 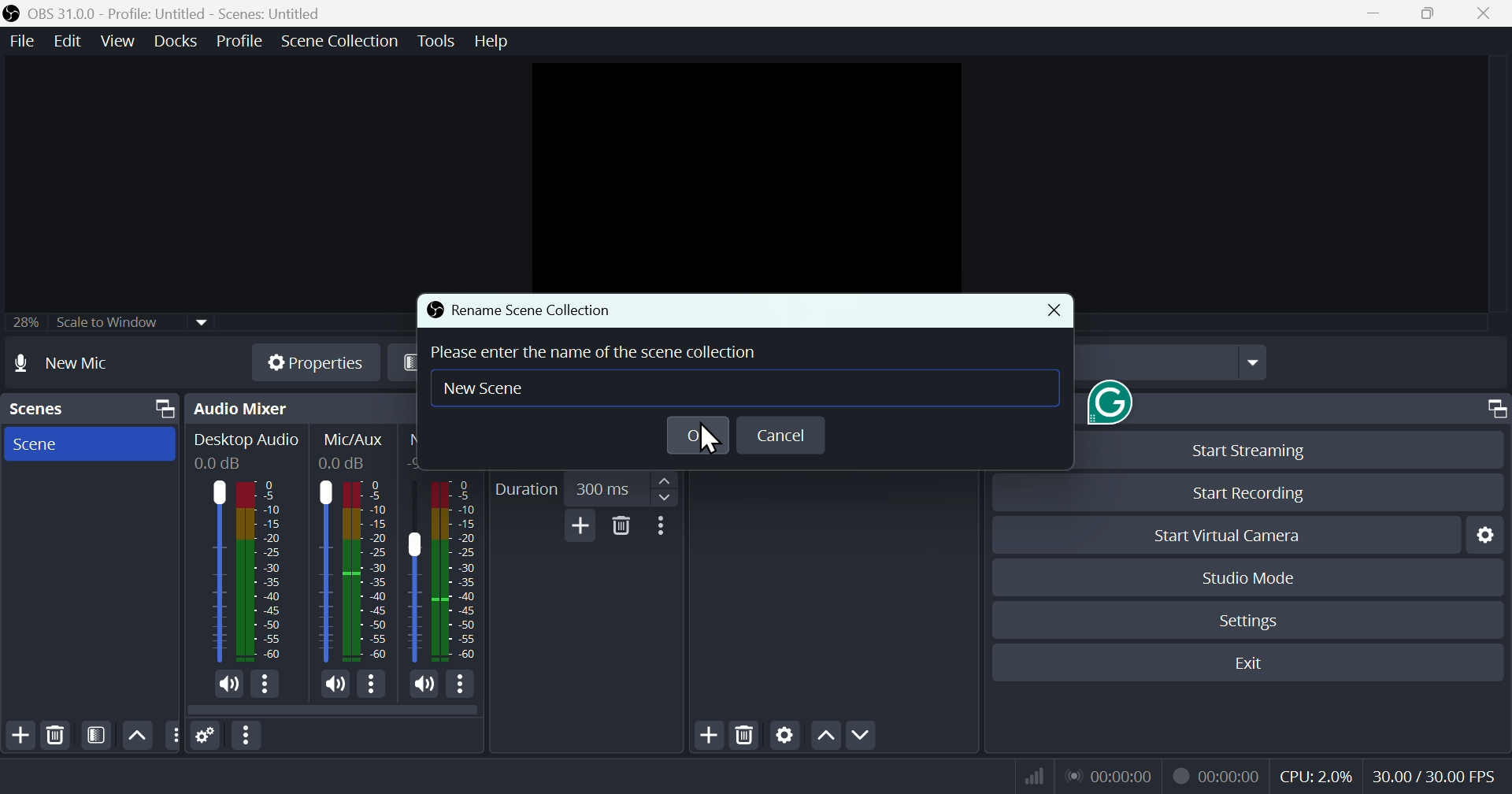 I want to click on More Options, so click(x=267, y=685).